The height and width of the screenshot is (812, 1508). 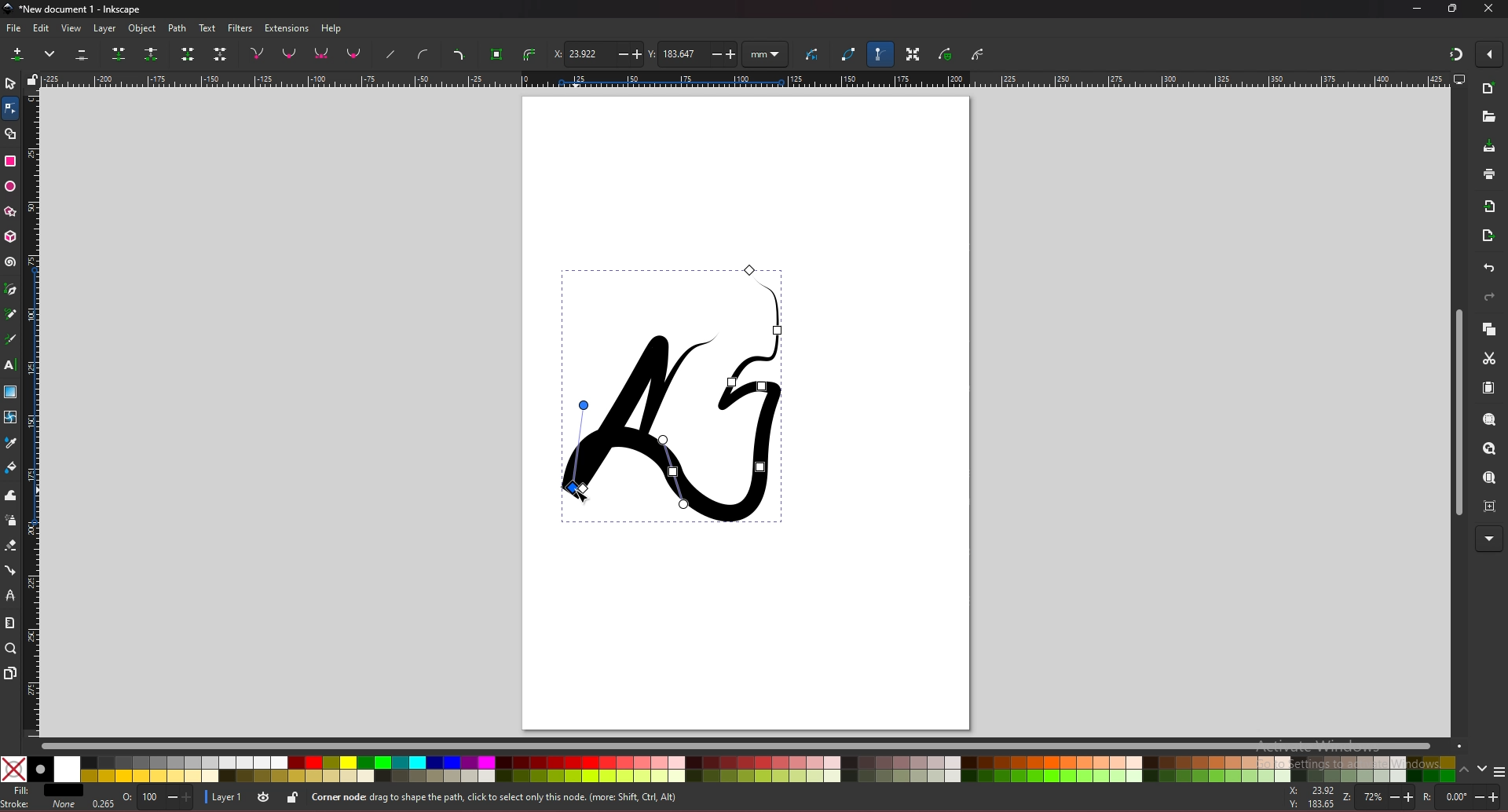 I want to click on 3d box, so click(x=11, y=237).